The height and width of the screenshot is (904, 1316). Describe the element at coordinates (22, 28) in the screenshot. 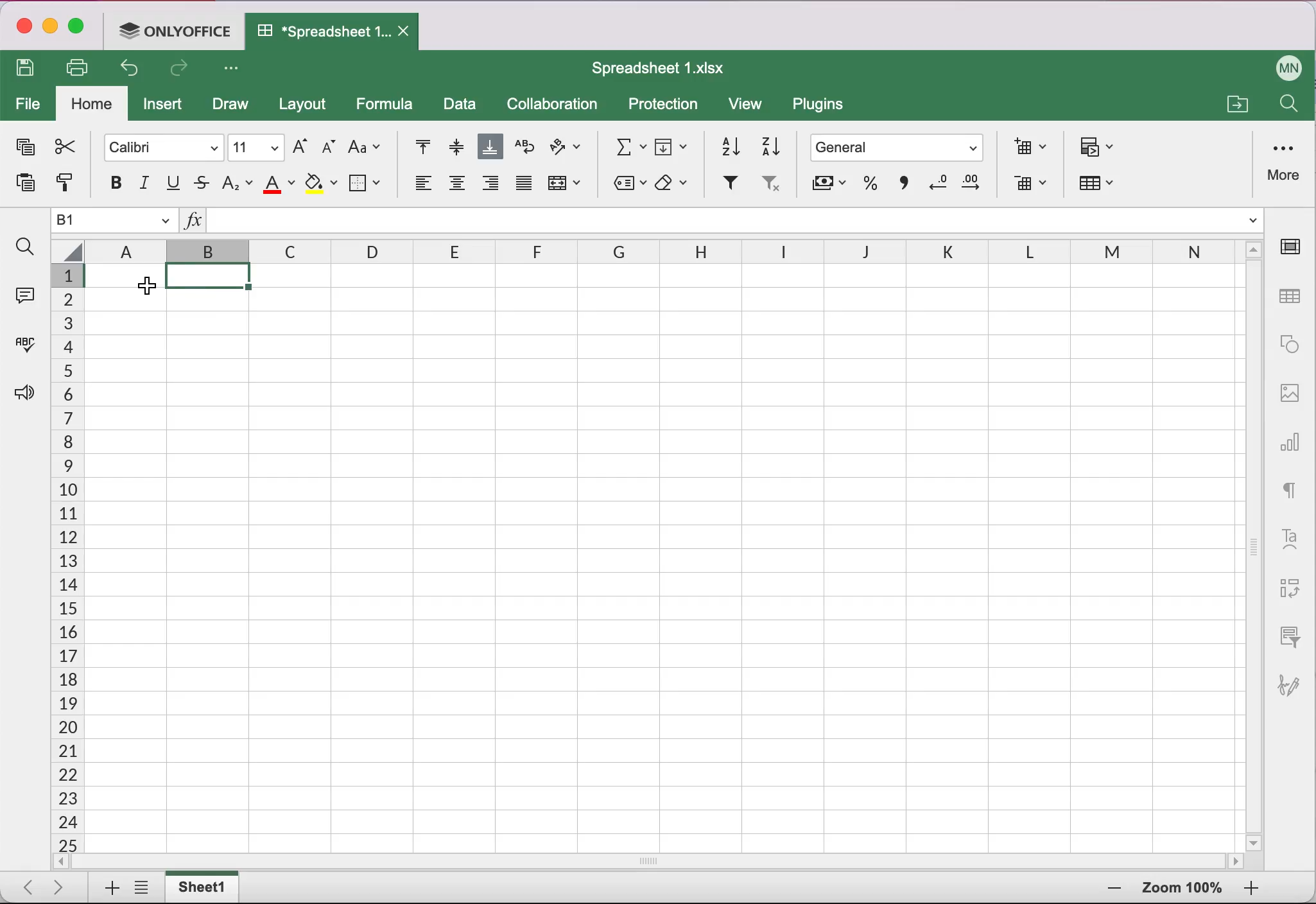

I see `close` at that location.